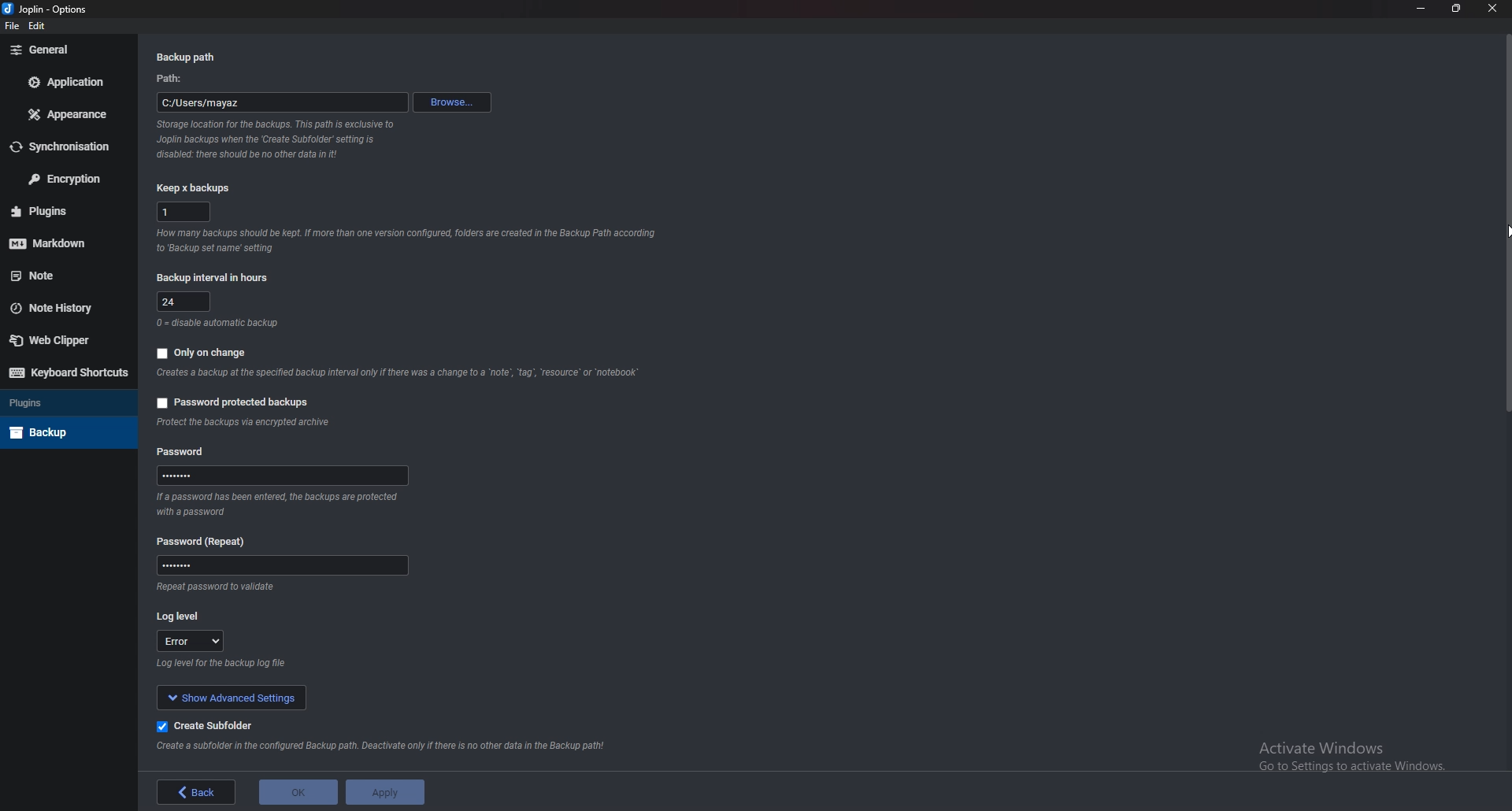 This screenshot has height=811, width=1512. What do you see at coordinates (184, 302) in the screenshot?
I see `24 Hours` at bounding box center [184, 302].